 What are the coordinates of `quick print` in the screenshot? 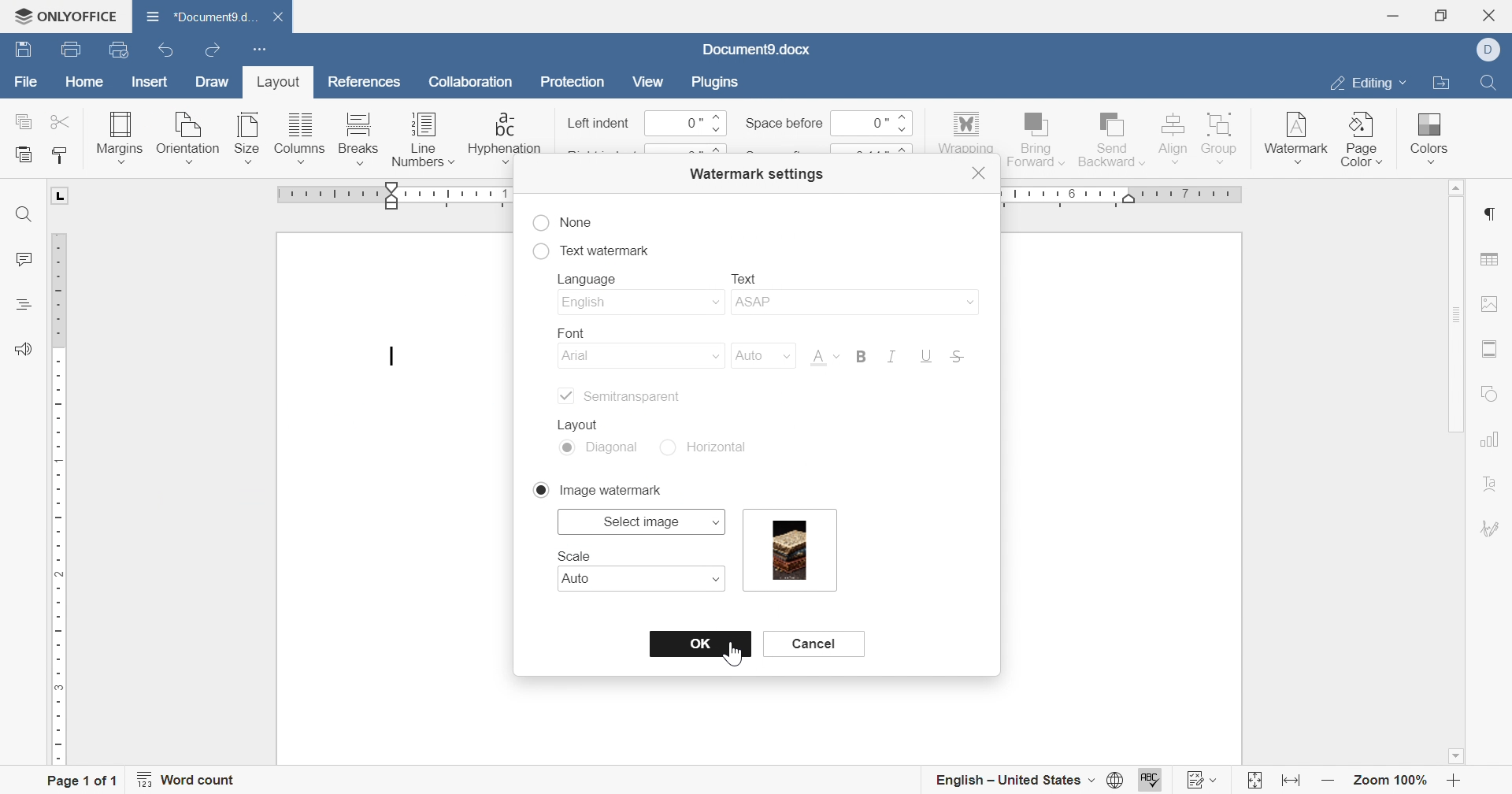 It's located at (126, 51).